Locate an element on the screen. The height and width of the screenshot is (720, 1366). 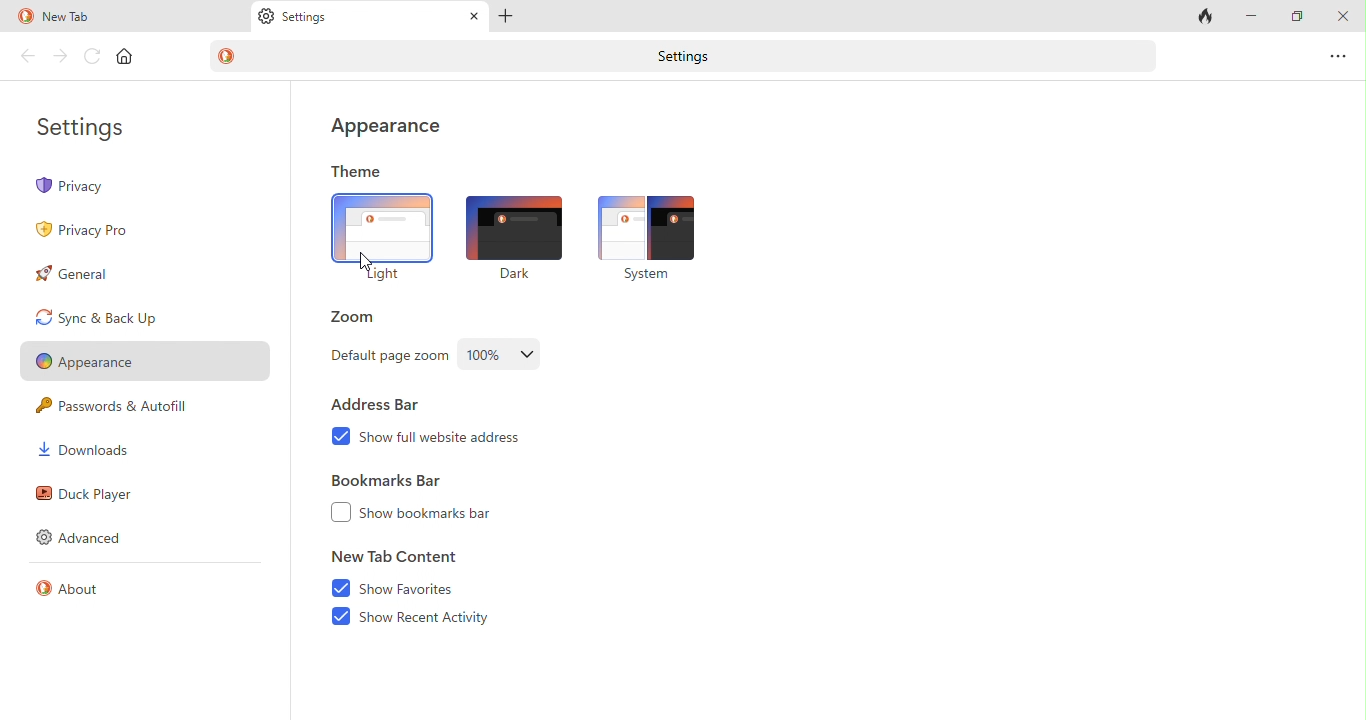
appearance is located at coordinates (385, 129).